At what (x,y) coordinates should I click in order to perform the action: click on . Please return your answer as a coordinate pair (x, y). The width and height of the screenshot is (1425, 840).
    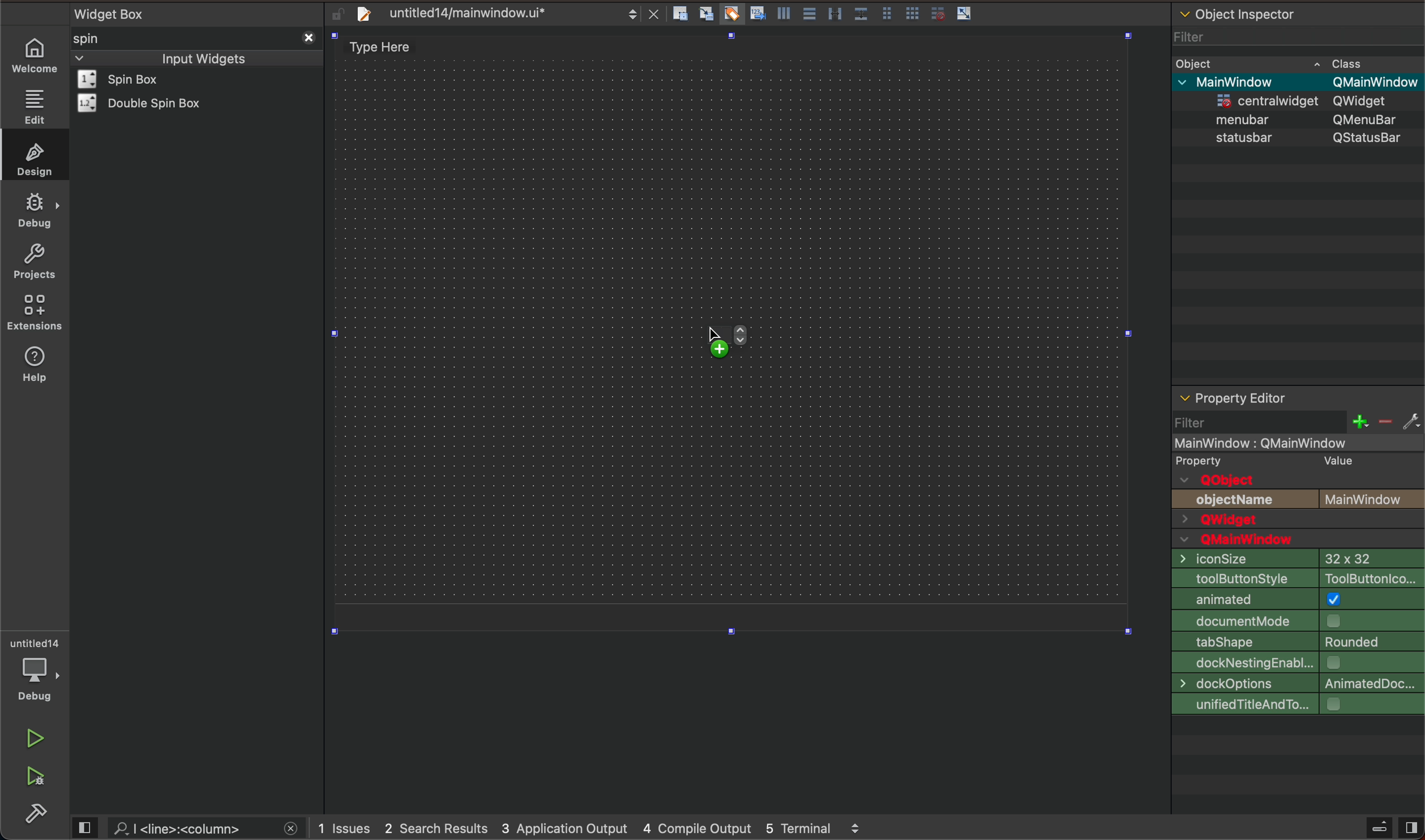
    Looking at the image, I should click on (1246, 81).